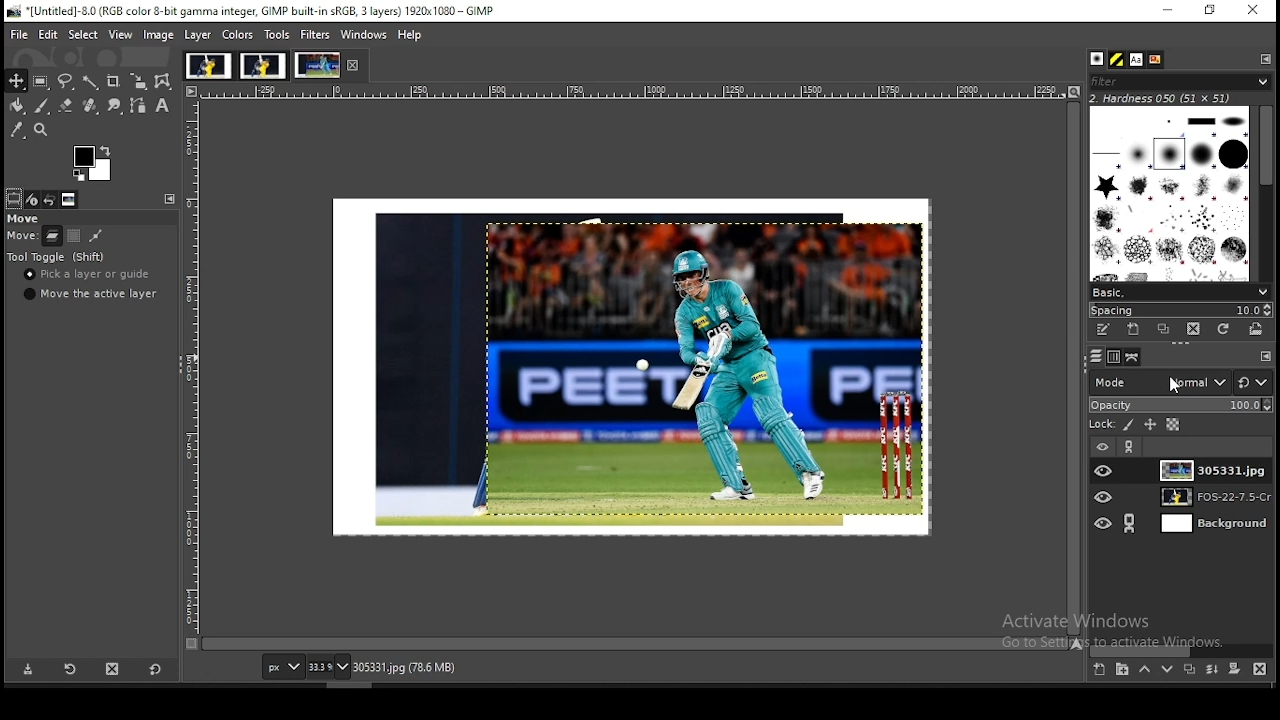 The image size is (1280, 720). Describe the element at coordinates (15, 35) in the screenshot. I see `file` at that location.